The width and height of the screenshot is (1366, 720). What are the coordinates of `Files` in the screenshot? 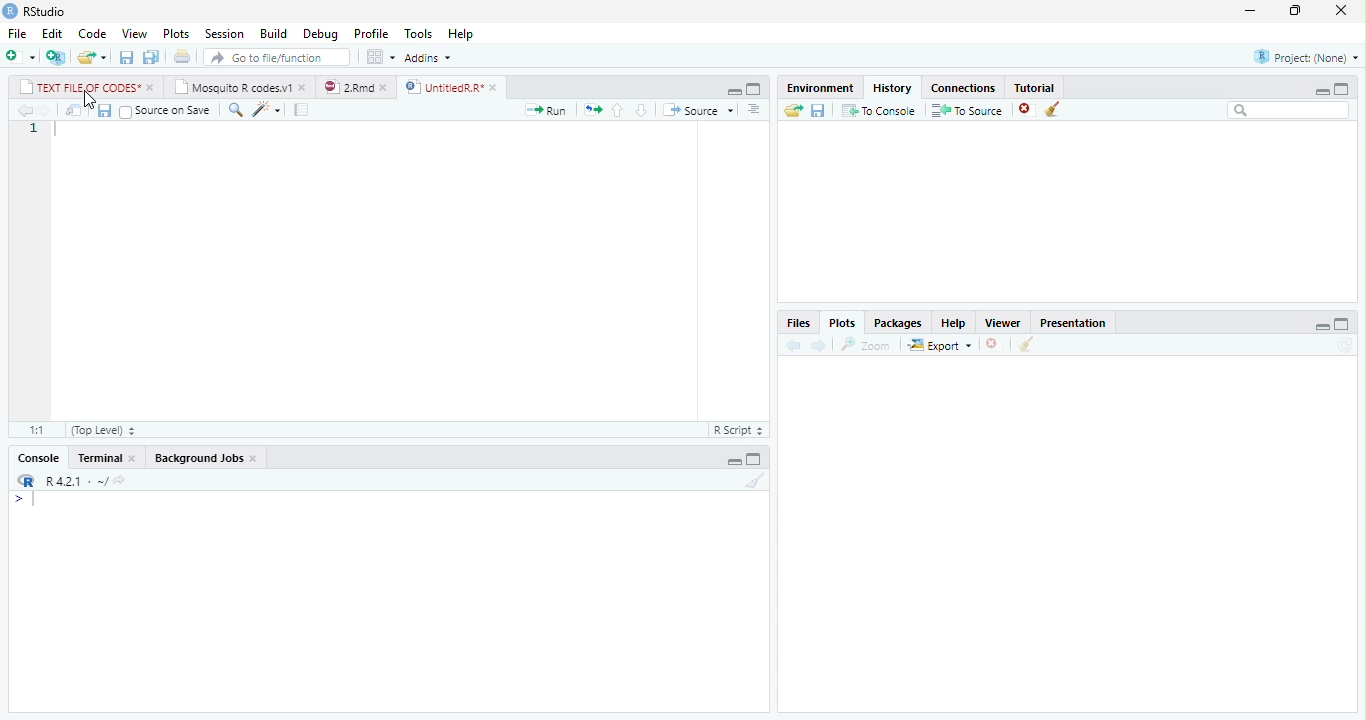 It's located at (798, 323).